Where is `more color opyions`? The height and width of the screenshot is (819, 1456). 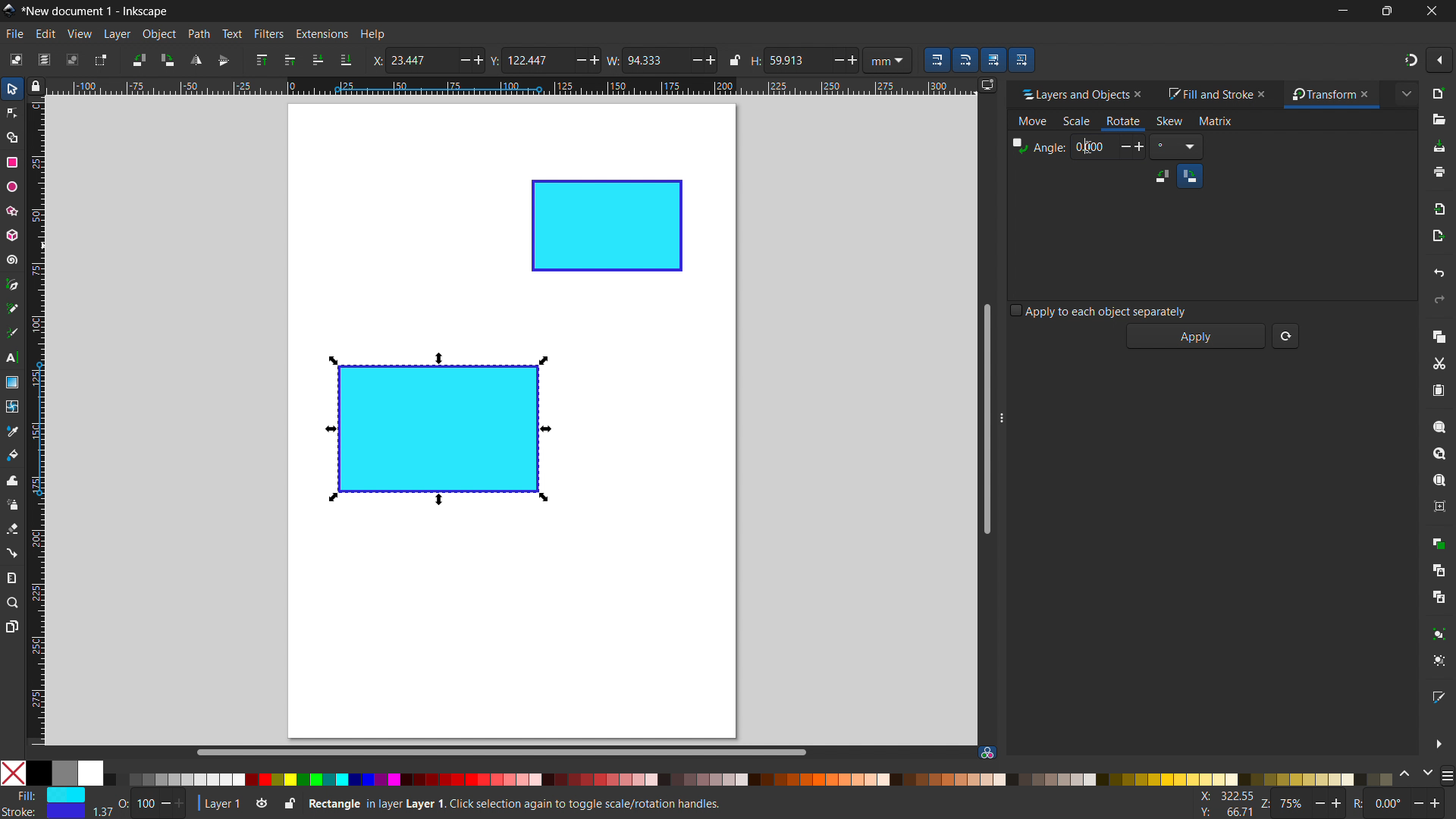 more color opyions is located at coordinates (1447, 774).